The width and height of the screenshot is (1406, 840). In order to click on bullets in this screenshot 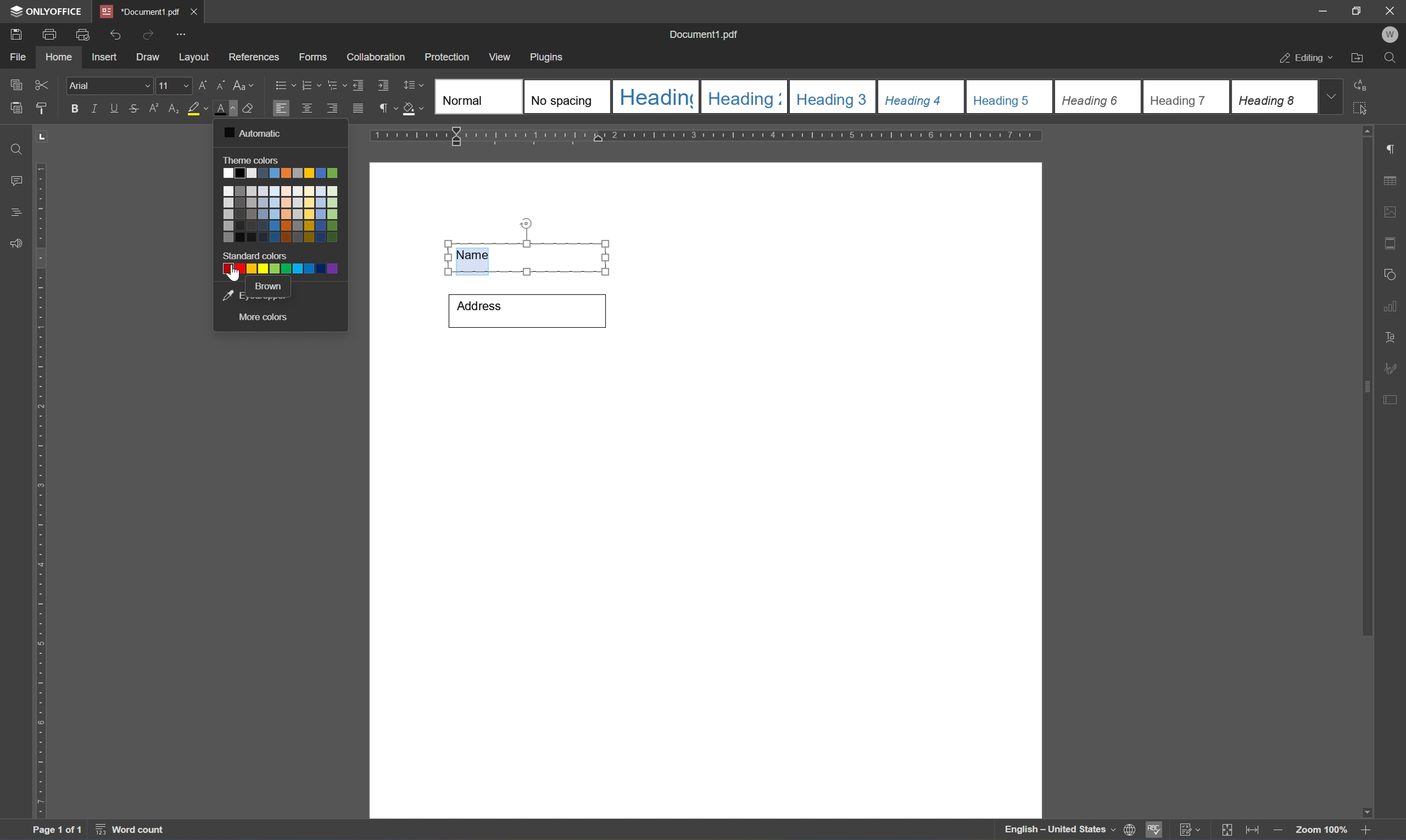, I will do `click(282, 84)`.